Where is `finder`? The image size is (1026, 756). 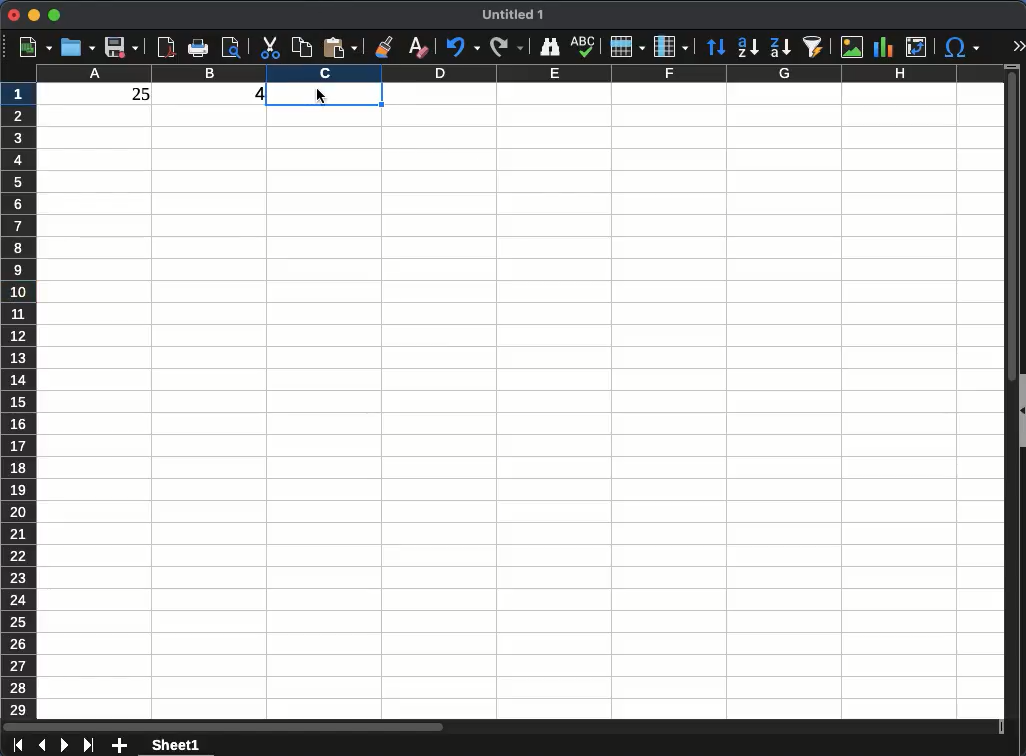 finder is located at coordinates (550, 46).